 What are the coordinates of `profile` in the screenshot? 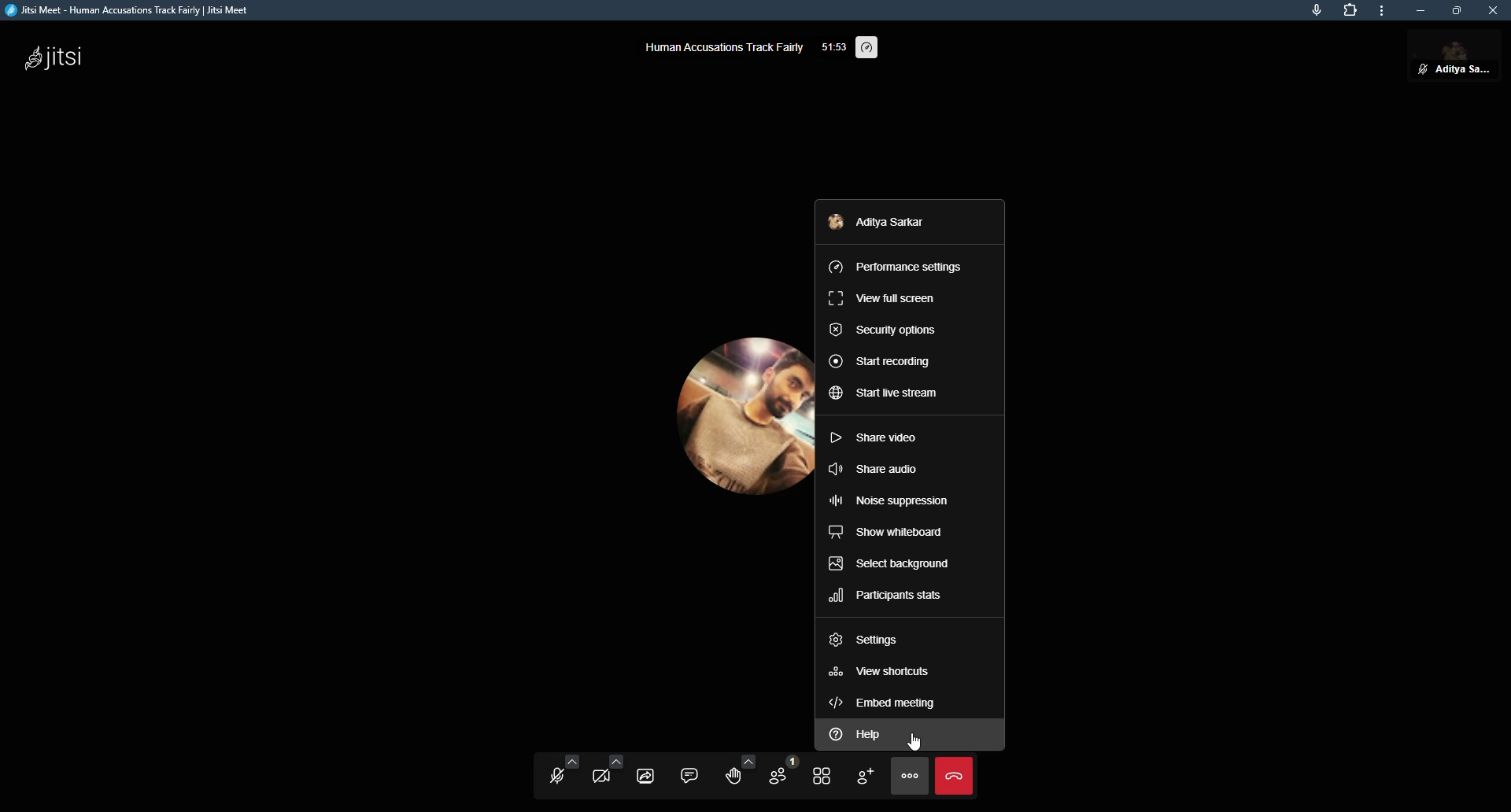 It's located at (1465, 61).